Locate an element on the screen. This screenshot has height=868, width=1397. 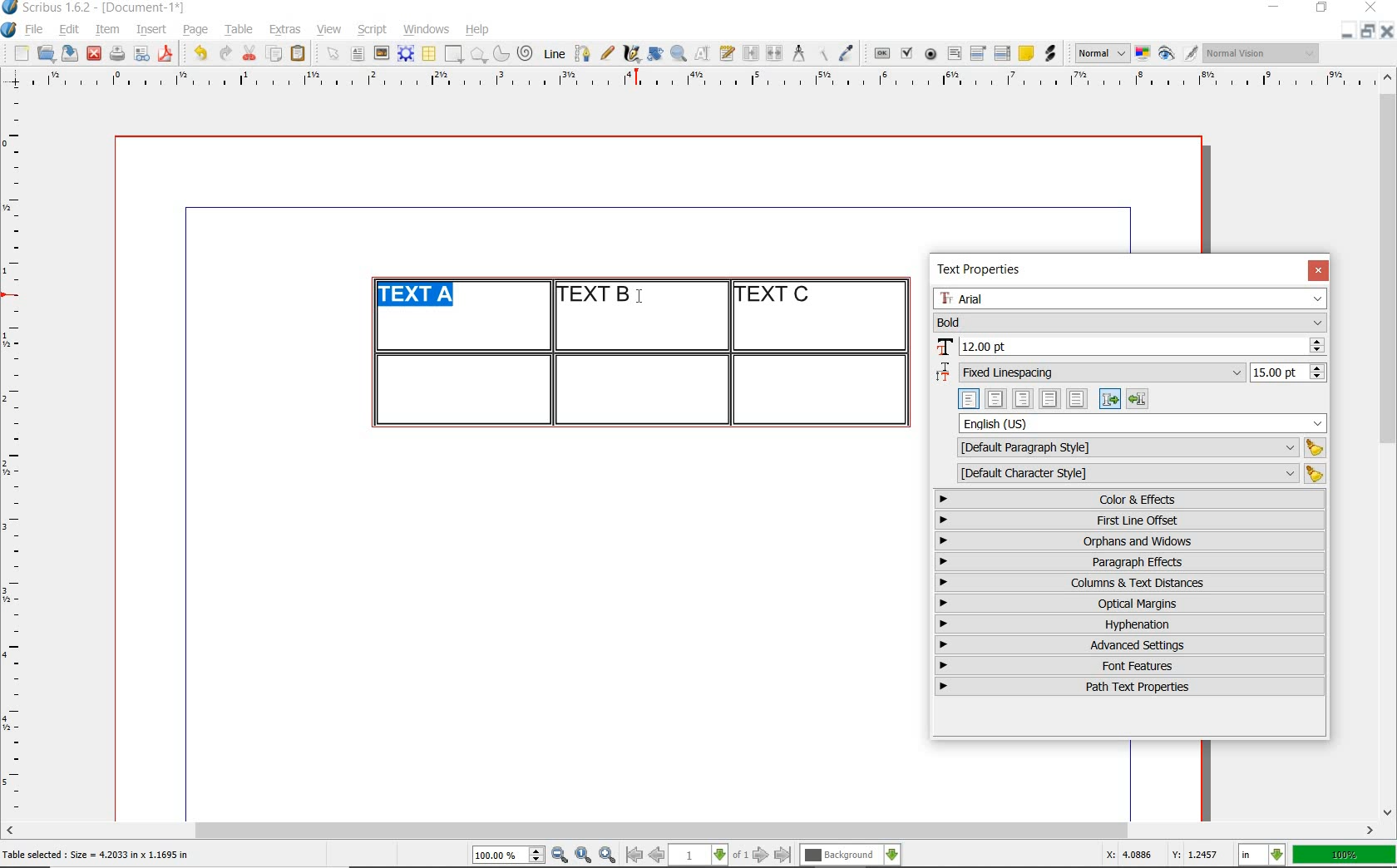
close is located at coordinates (1374, 7).